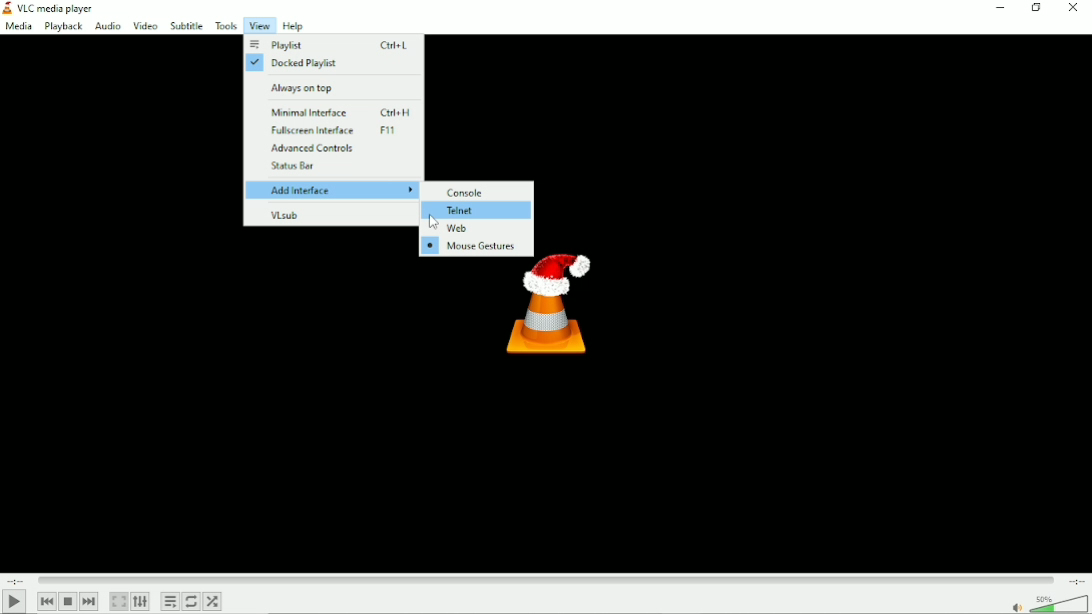  I want to click on Subtitle, so click(186, 26).